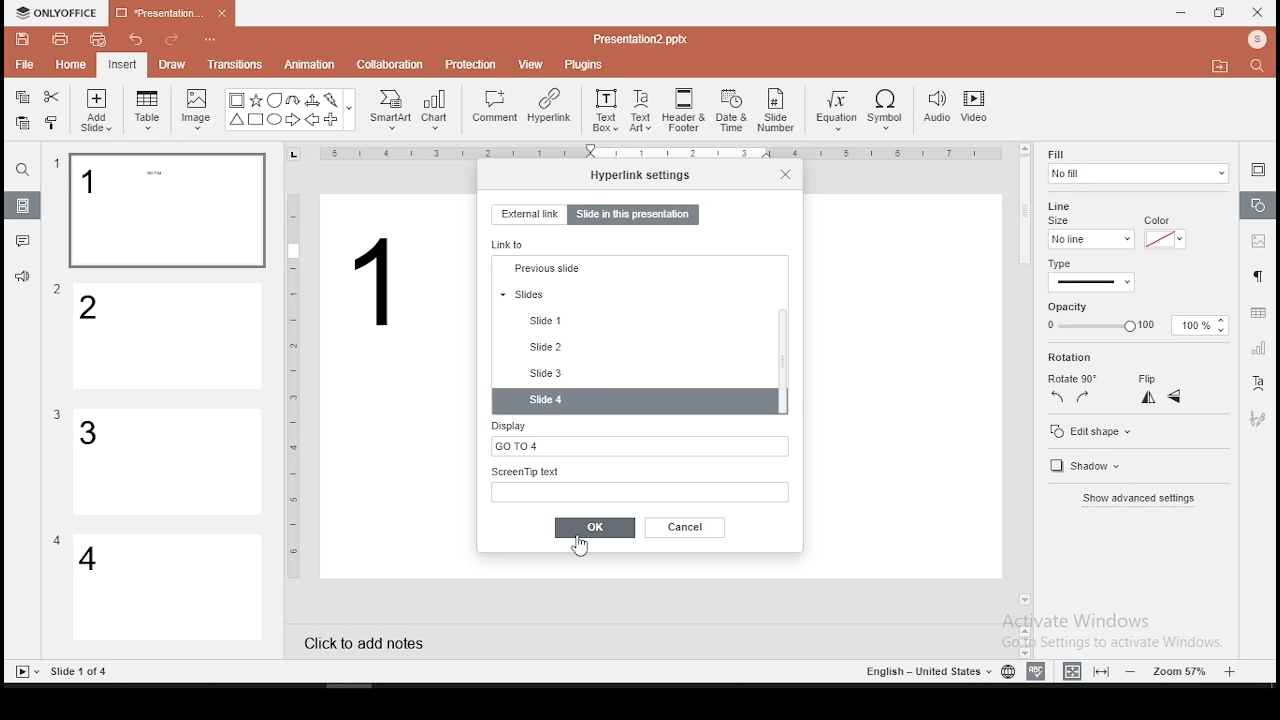 This screenshot has width=1280, height=720. Describe the element at coordinates (1134, 326) in the screenshot. I see `opacity` at that location.